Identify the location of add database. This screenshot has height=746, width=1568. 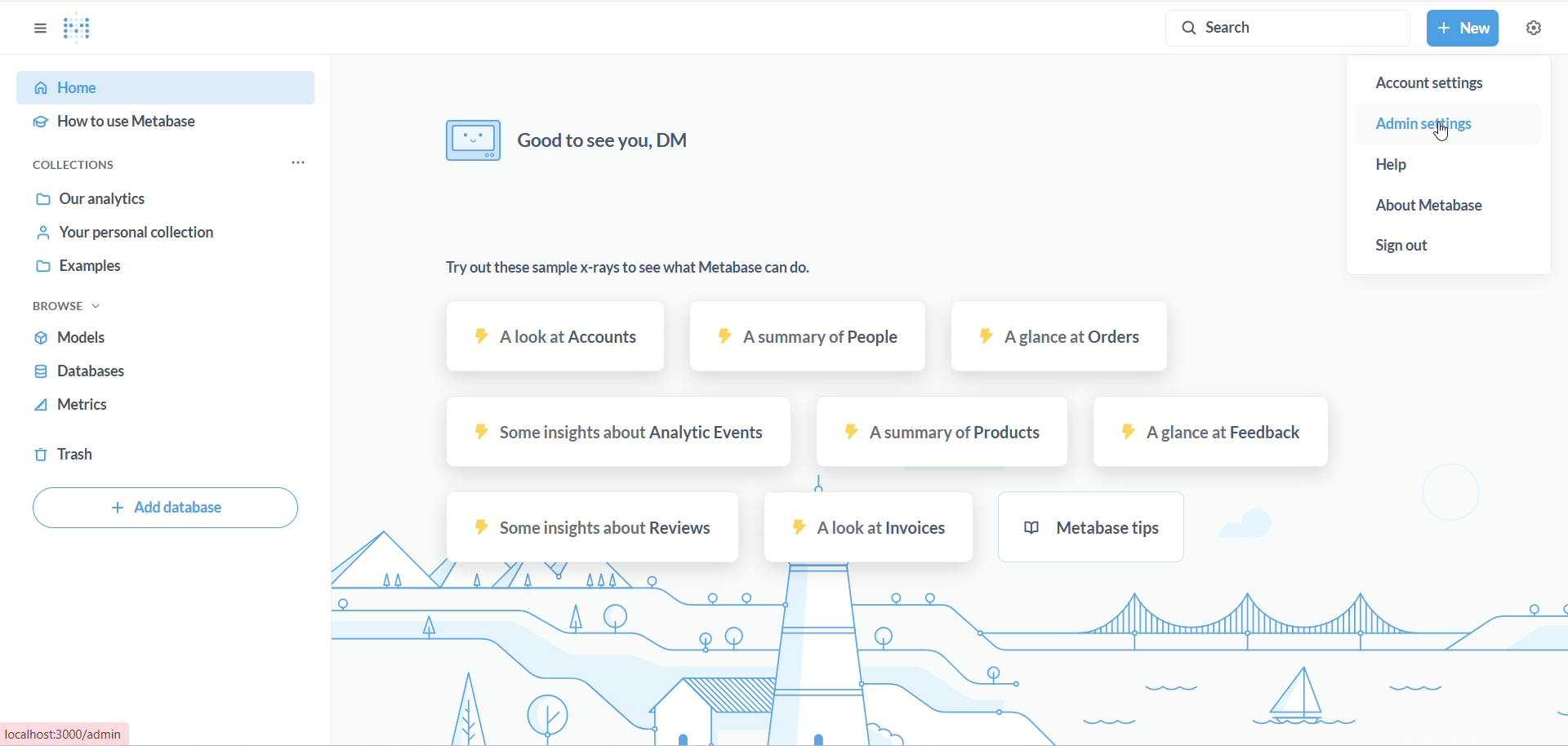
(167, 508).